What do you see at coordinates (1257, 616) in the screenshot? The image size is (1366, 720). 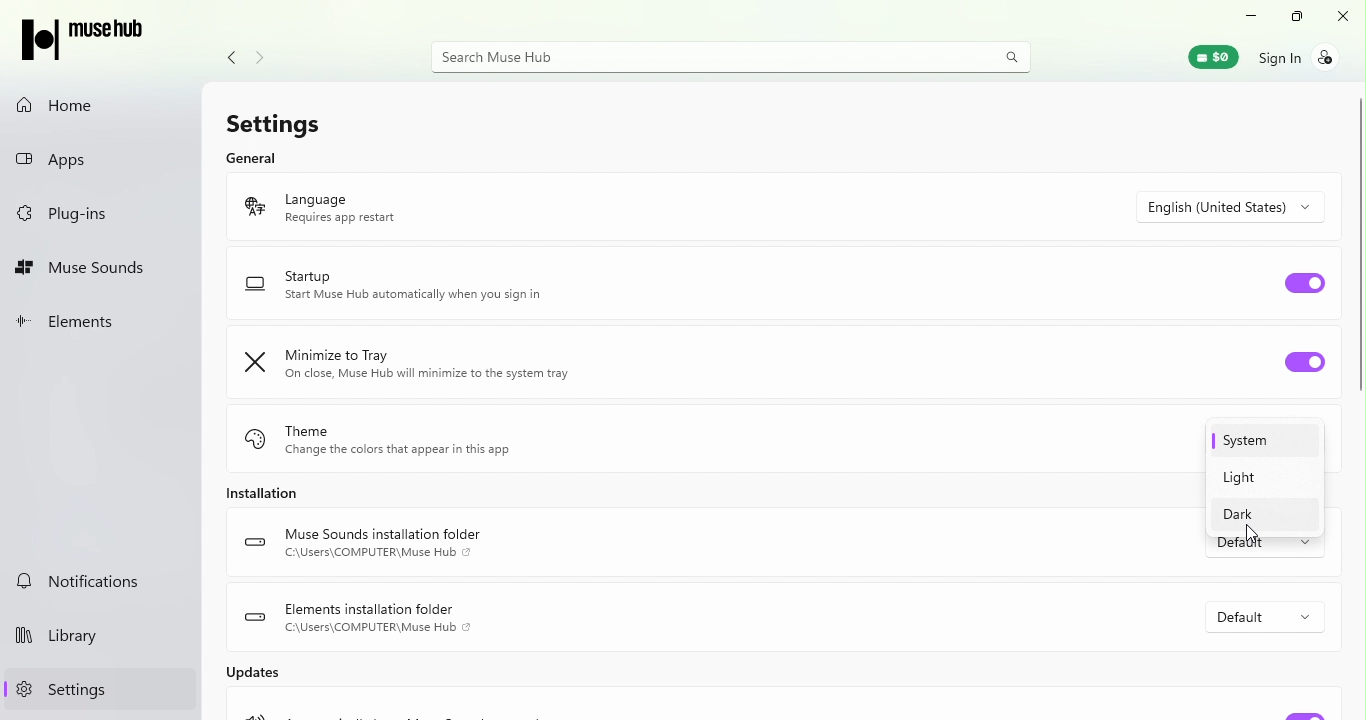 I see `Drop down menu` at bounding box center [1257, 616].